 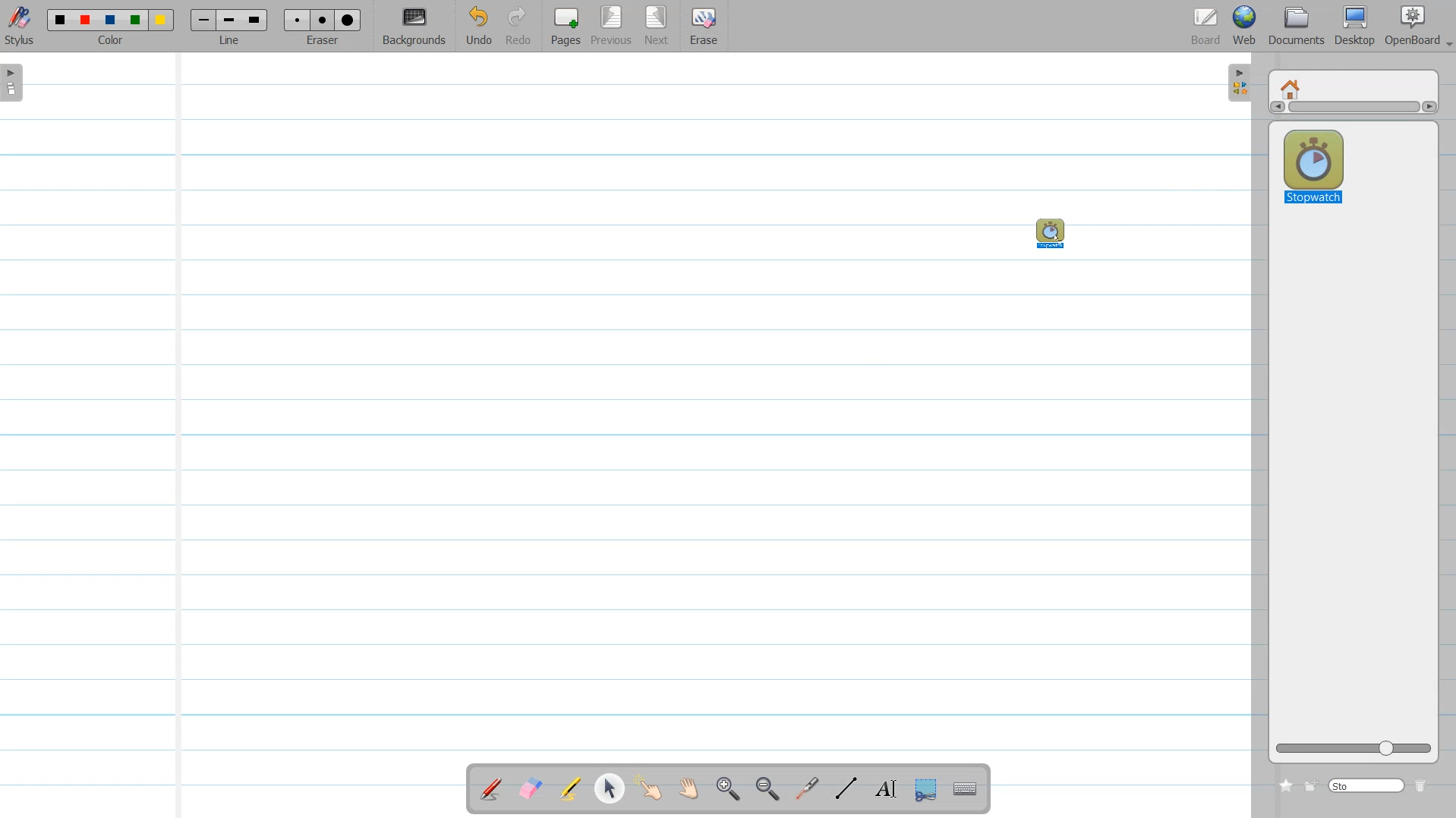 What do you see at coordinates (1422, 785) in the screenshot?
I see `Delete` at bounding box center [1422, 785].